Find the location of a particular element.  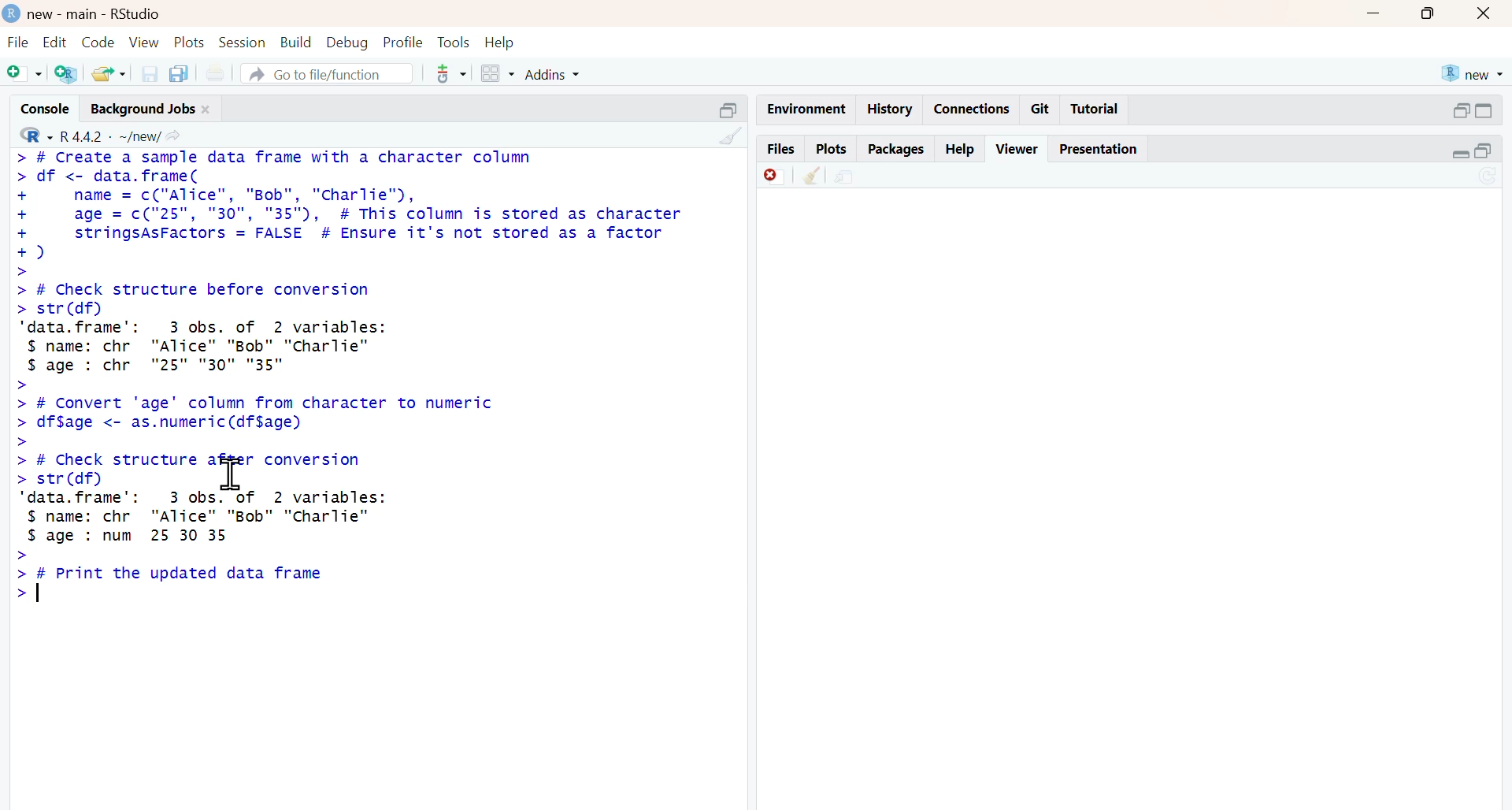

Clean  is located at coordinates (812, 175).